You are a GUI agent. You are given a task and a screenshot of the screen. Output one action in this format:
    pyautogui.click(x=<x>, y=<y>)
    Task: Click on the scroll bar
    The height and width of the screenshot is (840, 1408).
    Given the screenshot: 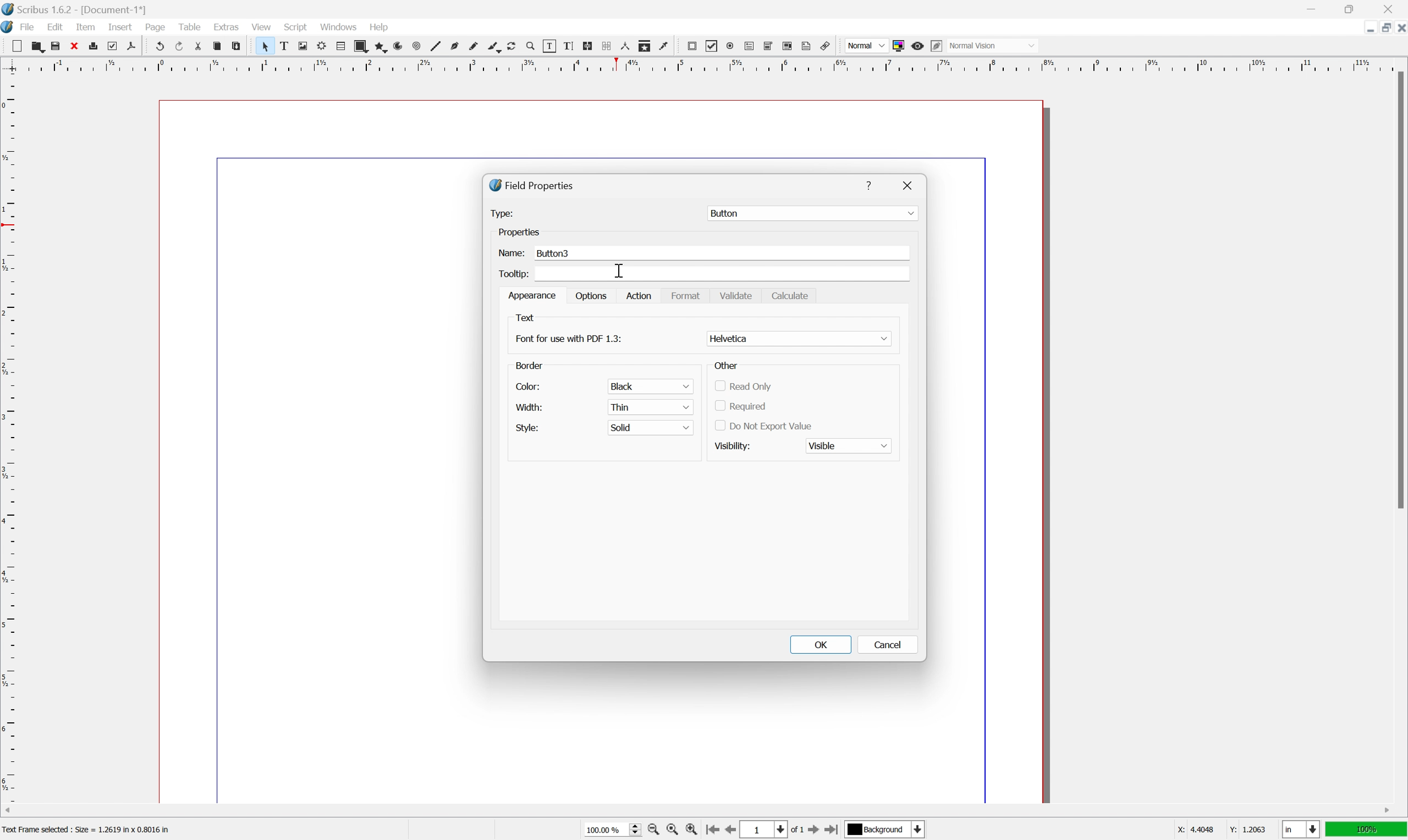 What is the action you would take?
    pyautogui.click(x=699, y=810)
    